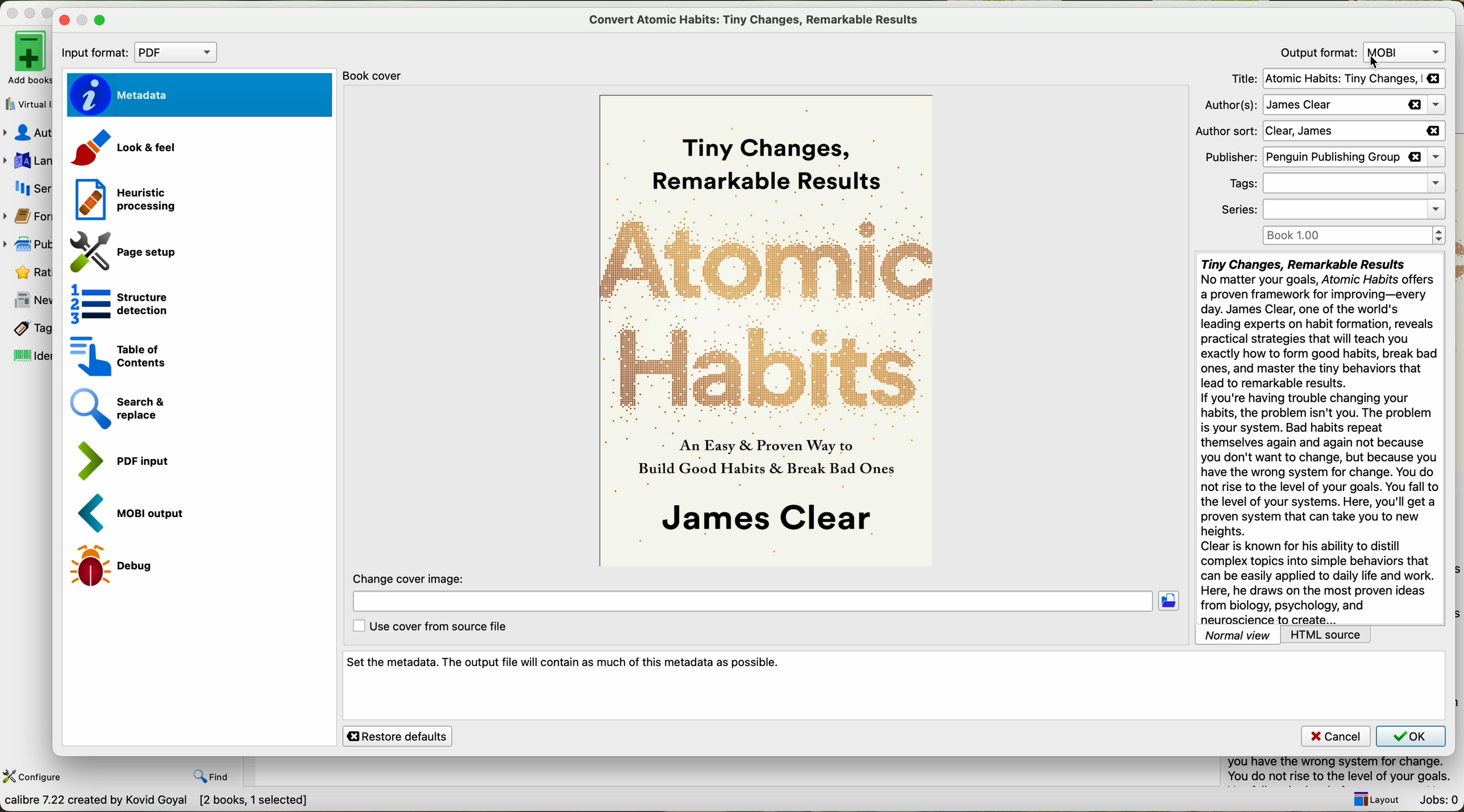 This screenshot has height=812, width=1464. Describe the element at coordinates (768, 331) in the screenshot. I see `book cover` at that location.